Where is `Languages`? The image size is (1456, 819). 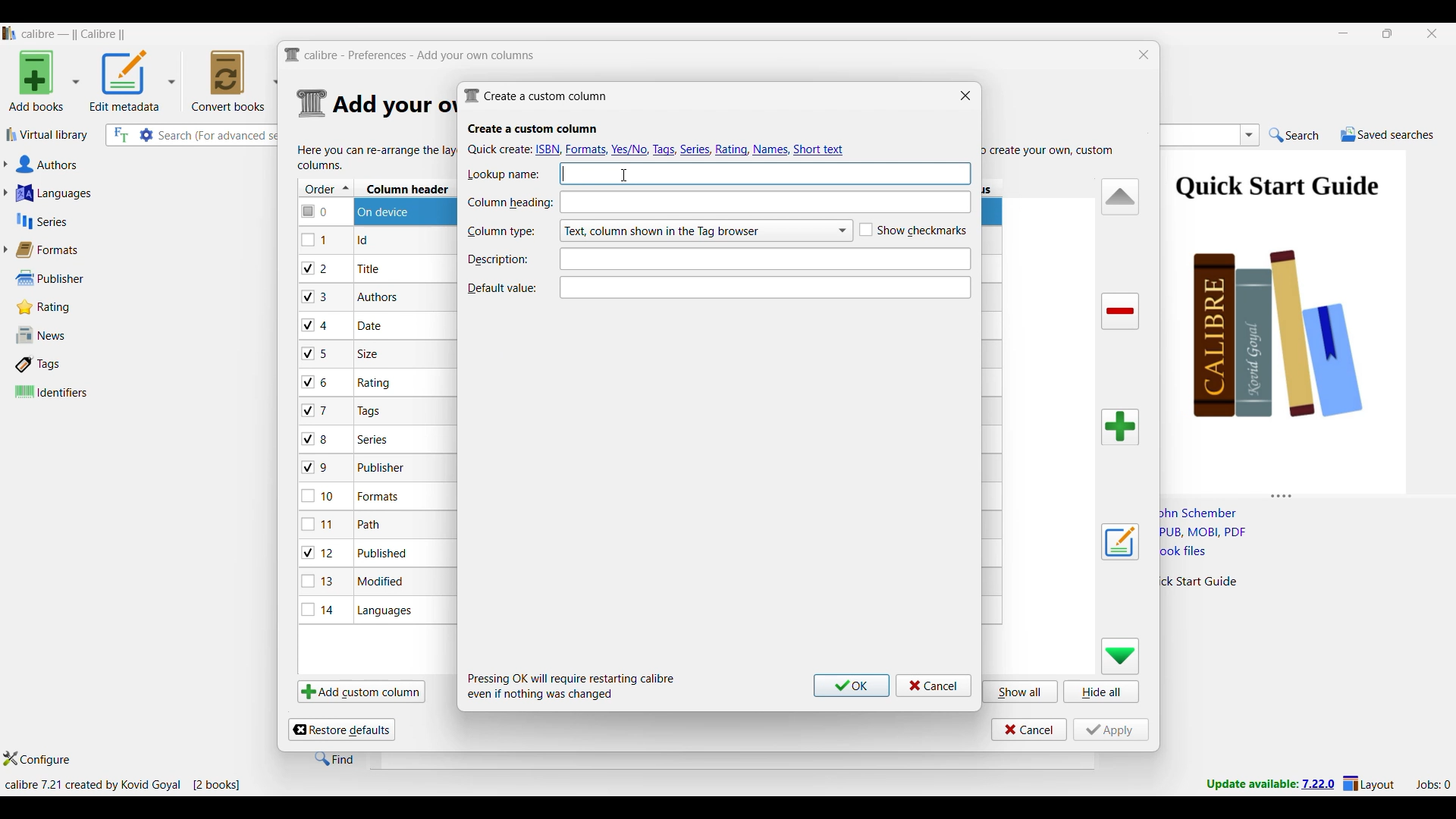 Languages is located at coordinates (115, 193).